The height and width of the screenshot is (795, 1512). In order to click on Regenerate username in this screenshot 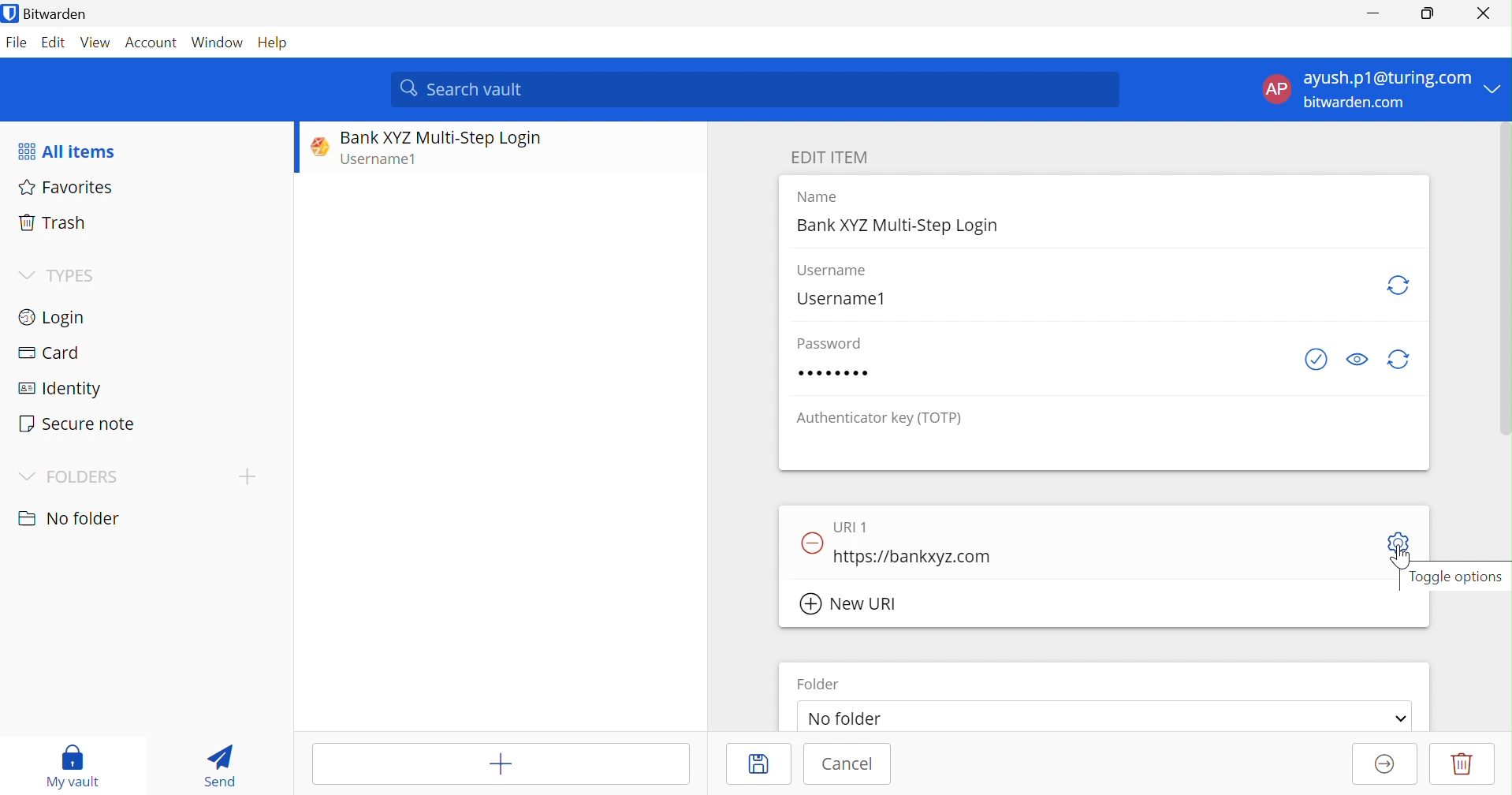, I will do `click(1400, 285)`.